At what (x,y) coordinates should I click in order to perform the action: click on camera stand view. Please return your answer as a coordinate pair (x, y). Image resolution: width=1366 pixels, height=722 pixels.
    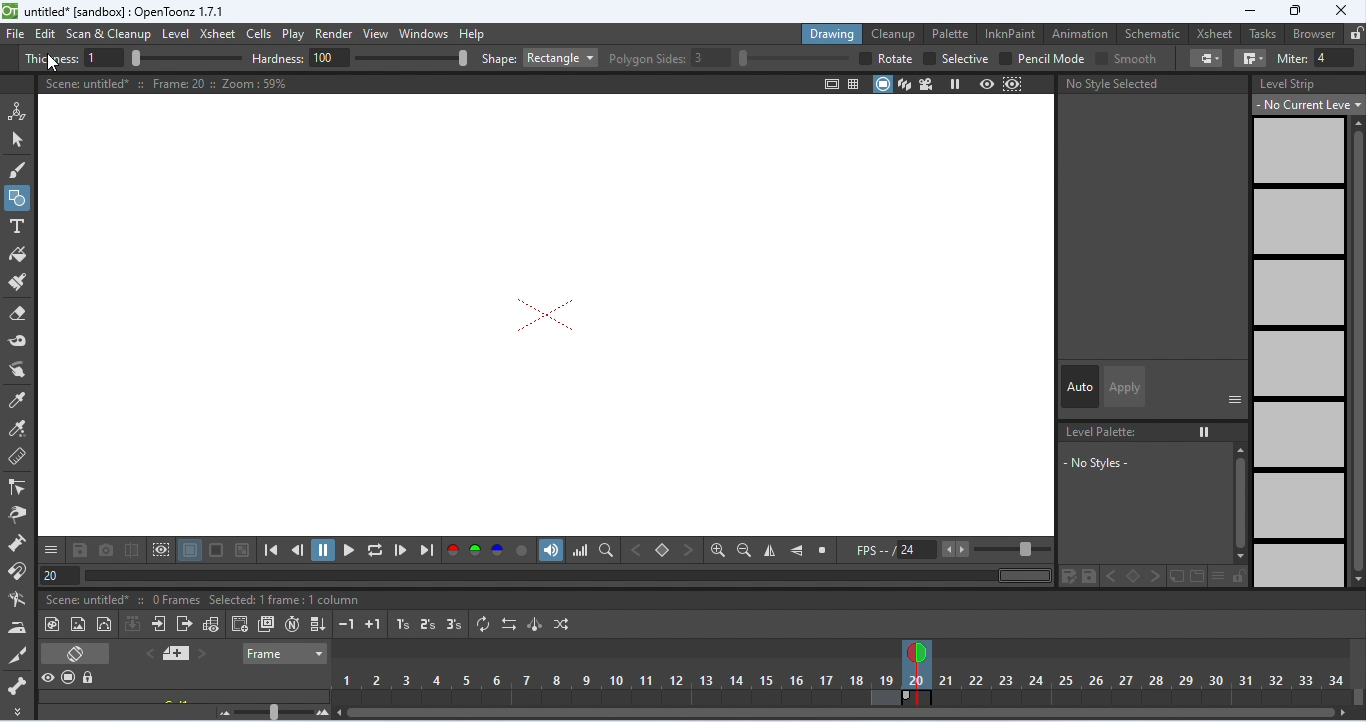
    Looking at the image, I should click on (880, 84).